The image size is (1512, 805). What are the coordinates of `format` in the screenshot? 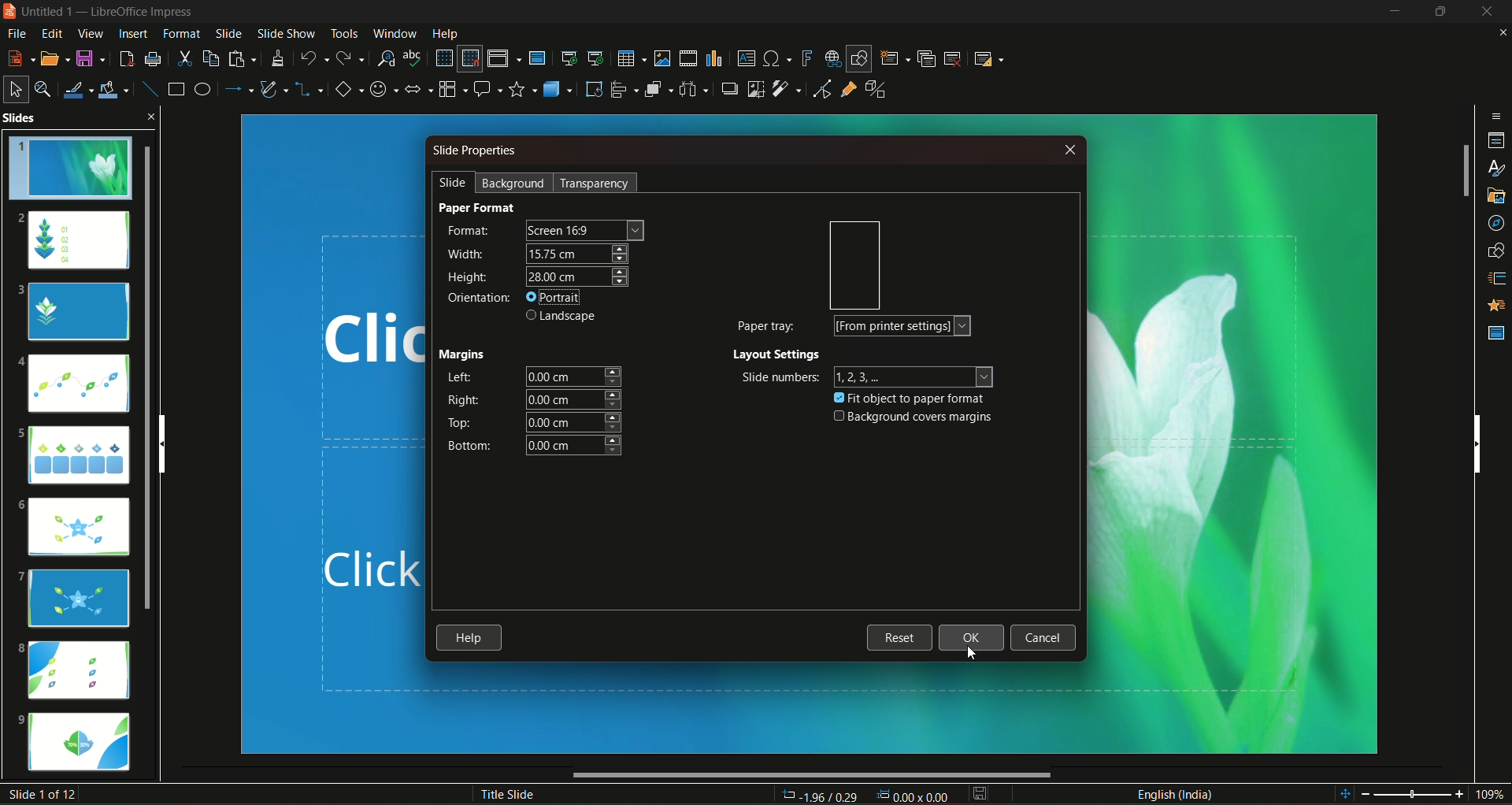 It's located at (469, 232).